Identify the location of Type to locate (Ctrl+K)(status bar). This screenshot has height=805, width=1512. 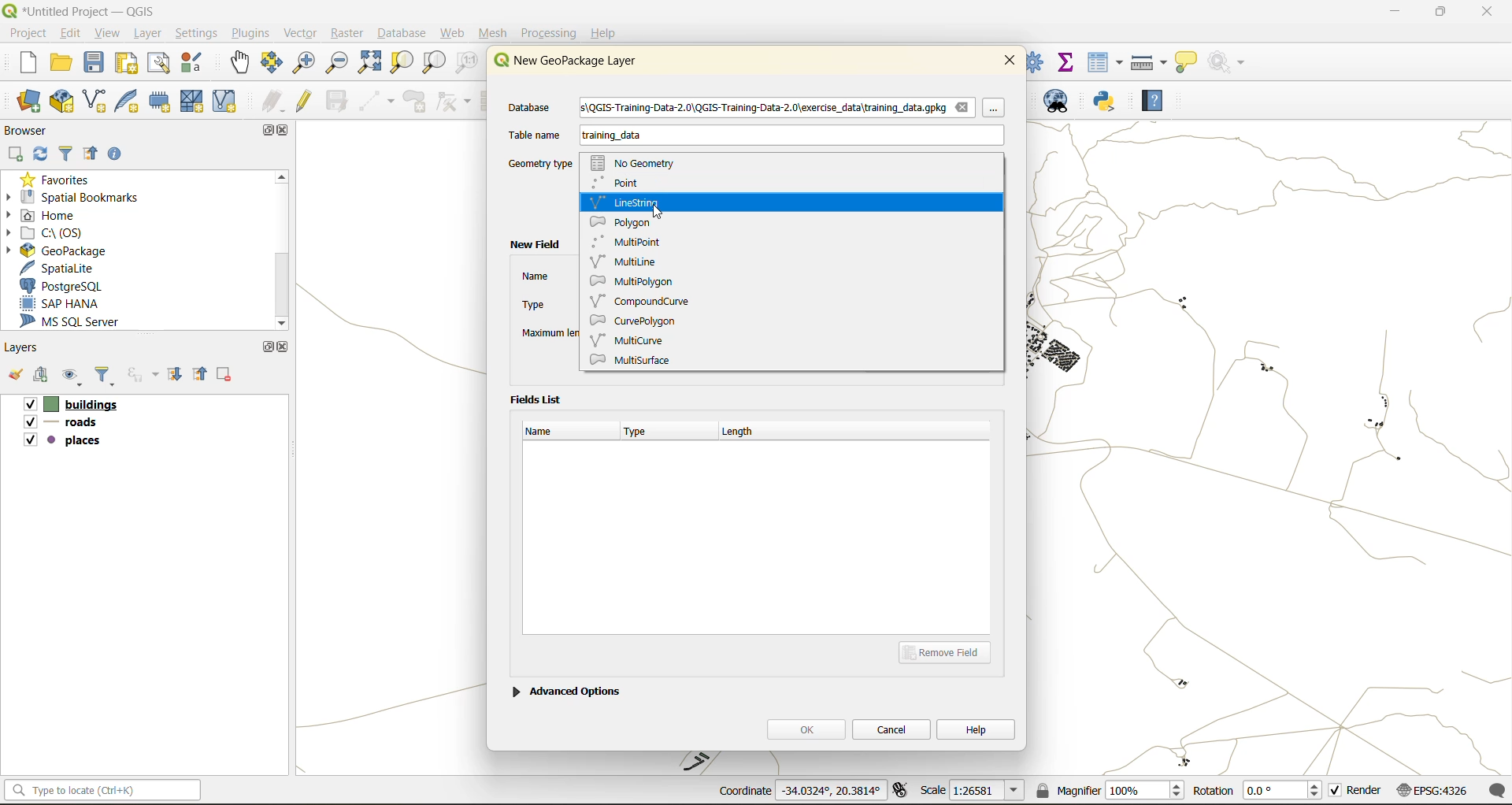
(103, 793).